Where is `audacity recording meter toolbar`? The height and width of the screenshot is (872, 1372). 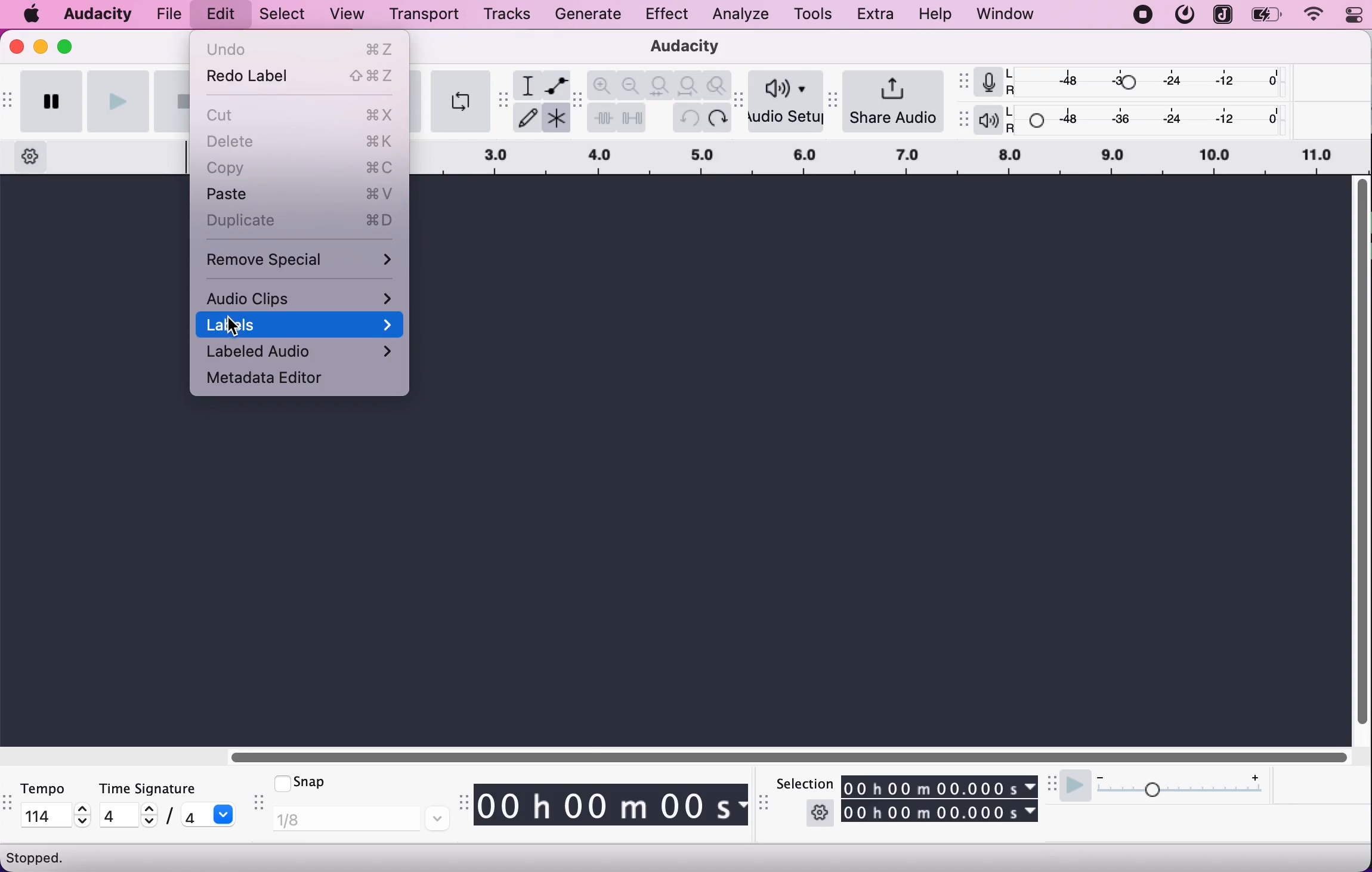
audacity recording meter toolbar is located at coordinates (962, 80).